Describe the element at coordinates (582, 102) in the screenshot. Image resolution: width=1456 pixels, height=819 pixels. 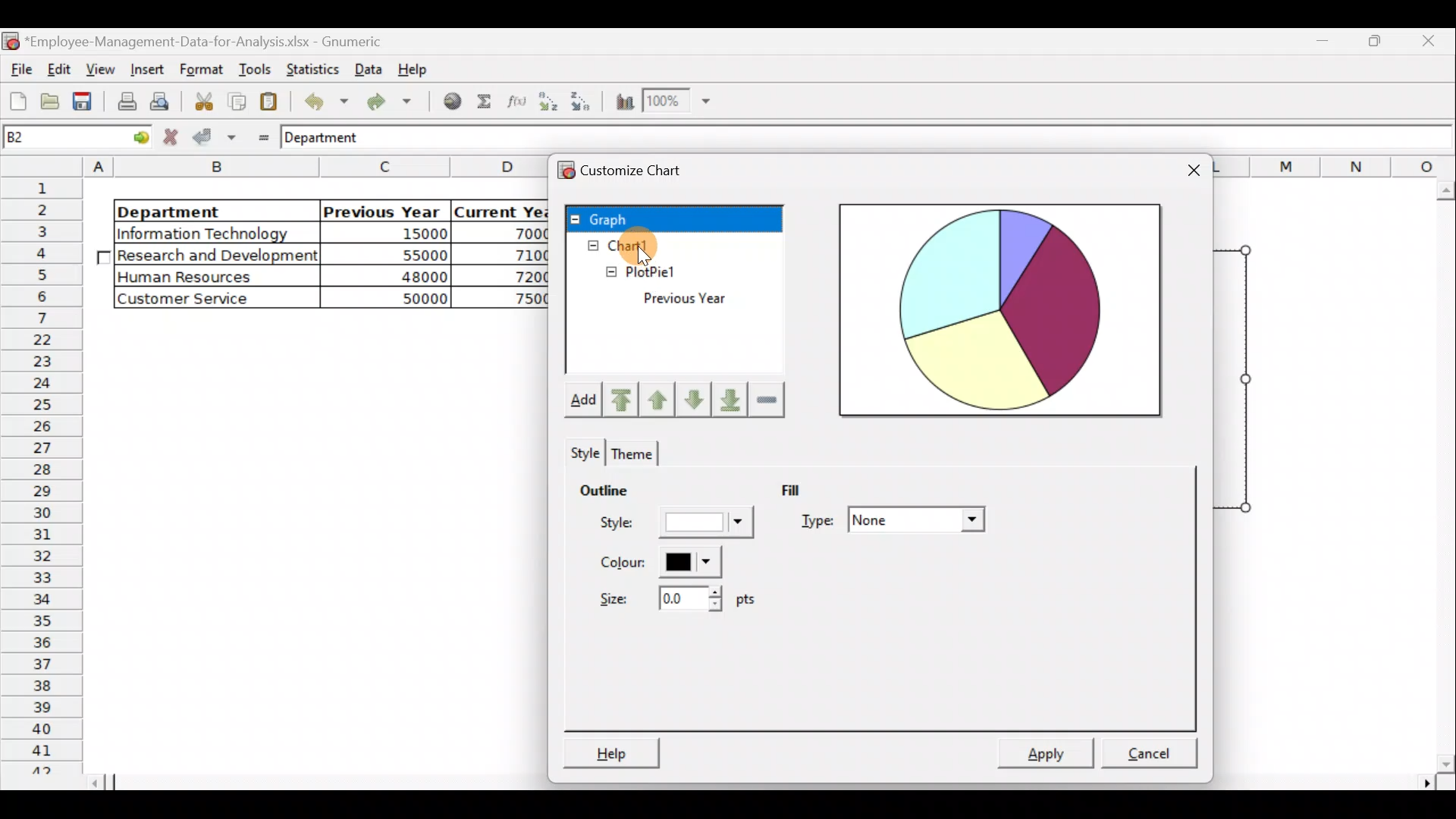
I see `Sort in descending order` at that location.